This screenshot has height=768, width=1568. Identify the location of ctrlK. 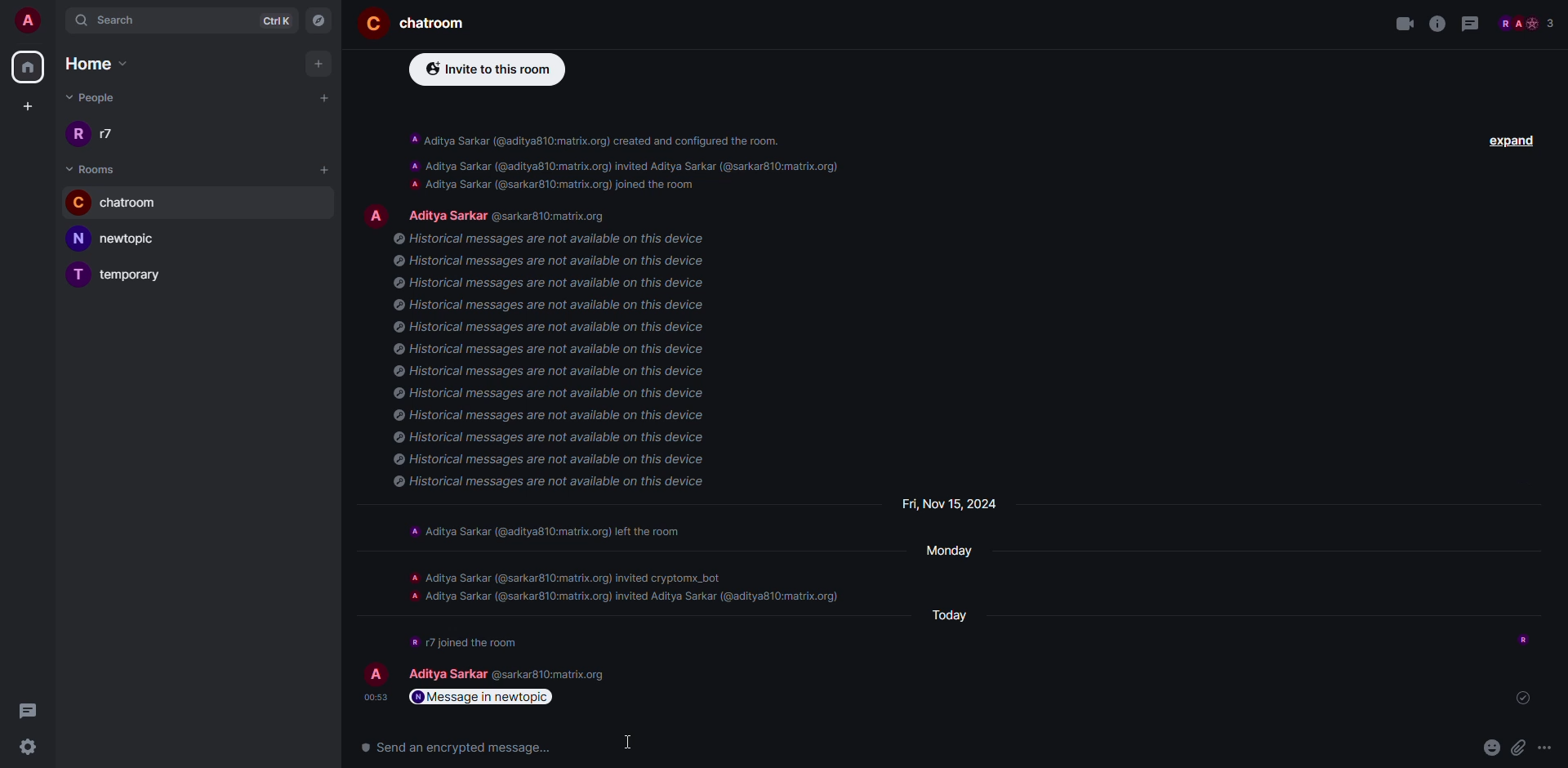
(278, 19).